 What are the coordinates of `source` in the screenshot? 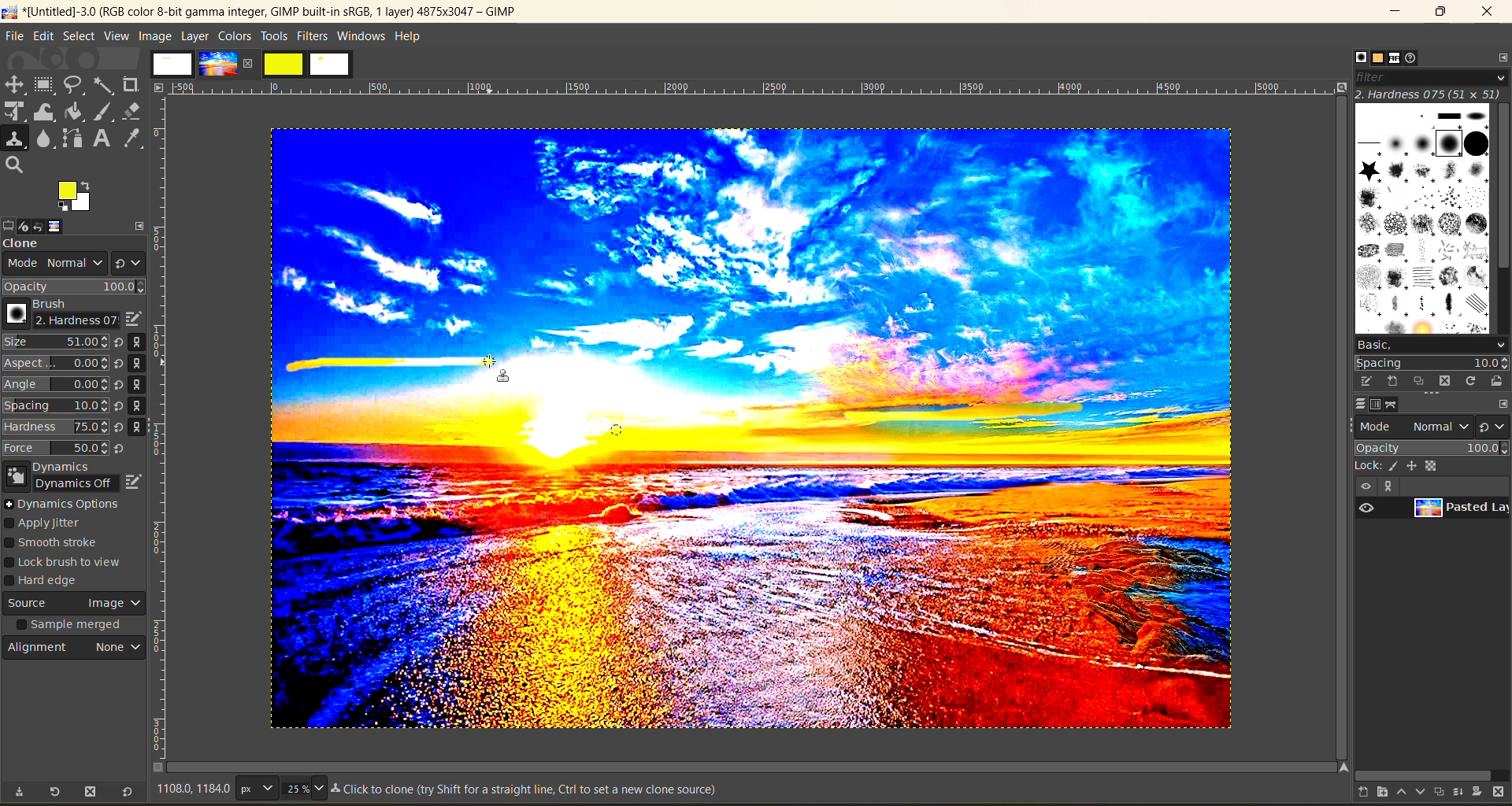 It's located at (75, 605).